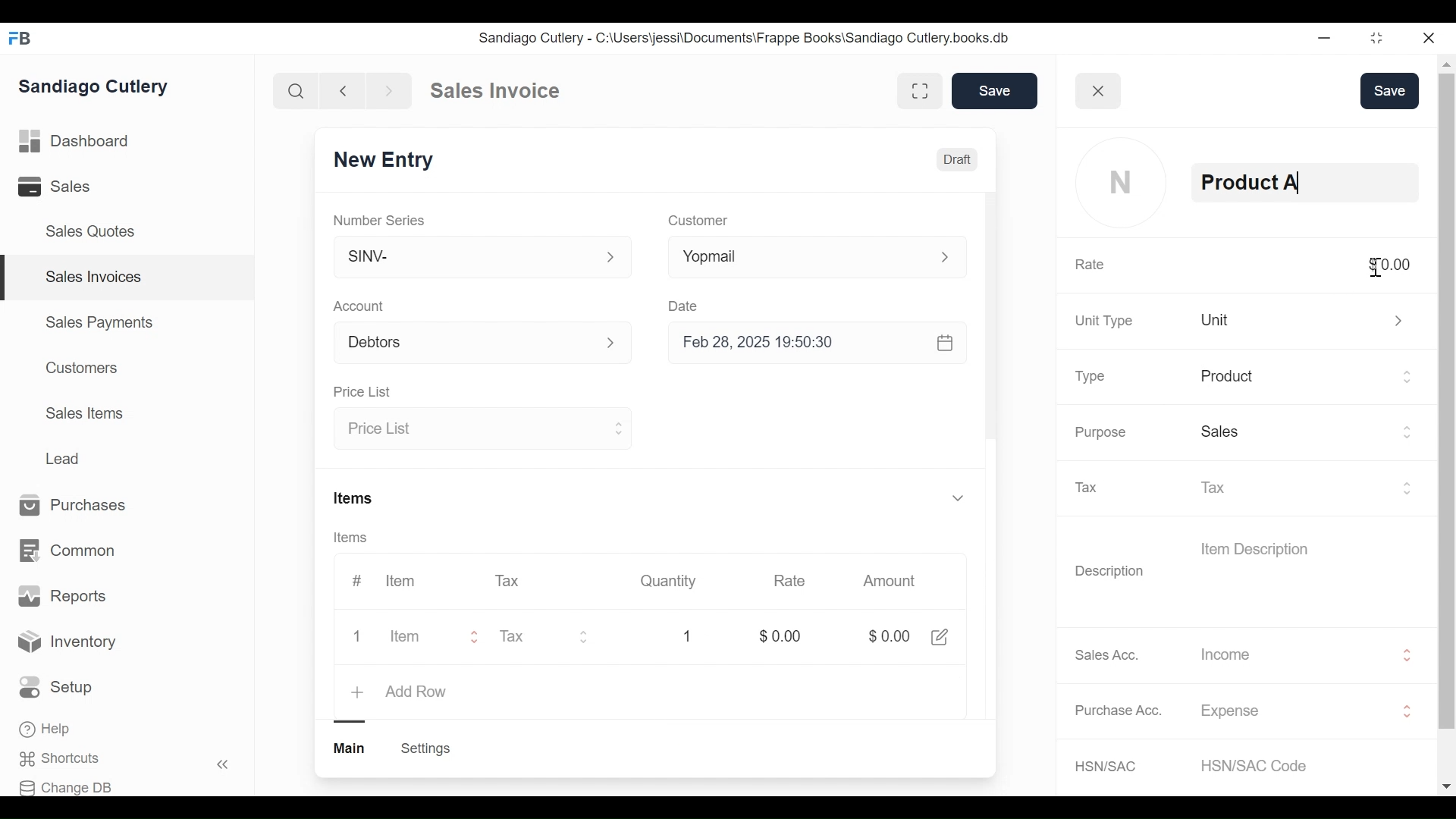 The image size is (1456, 819). What do you see at coordinates (484, 429) in the screenshot?
I see `Price List` at bounding box center [484, 429].